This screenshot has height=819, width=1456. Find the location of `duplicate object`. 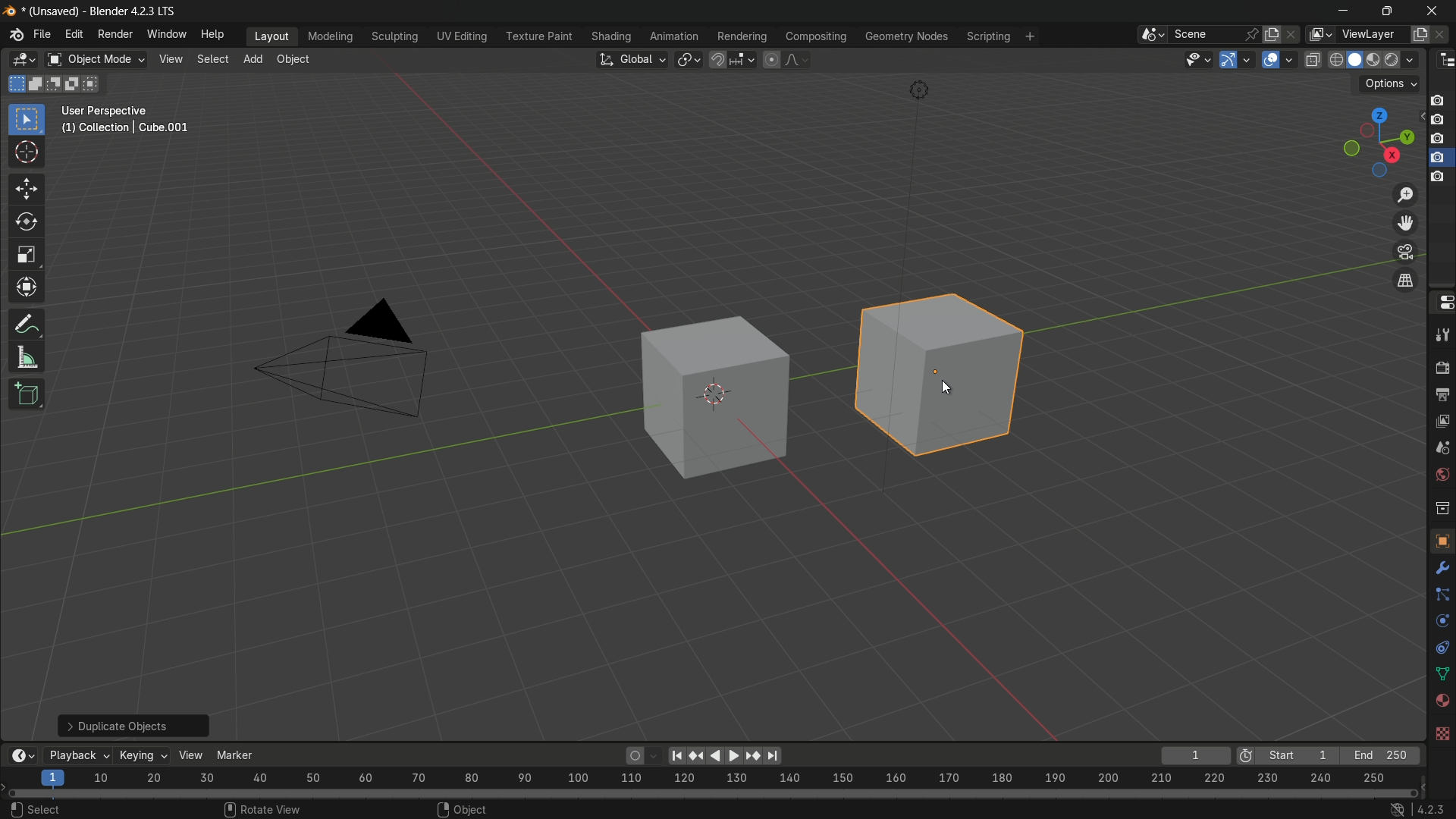

duplicate object is located at coordinates (945, 384).